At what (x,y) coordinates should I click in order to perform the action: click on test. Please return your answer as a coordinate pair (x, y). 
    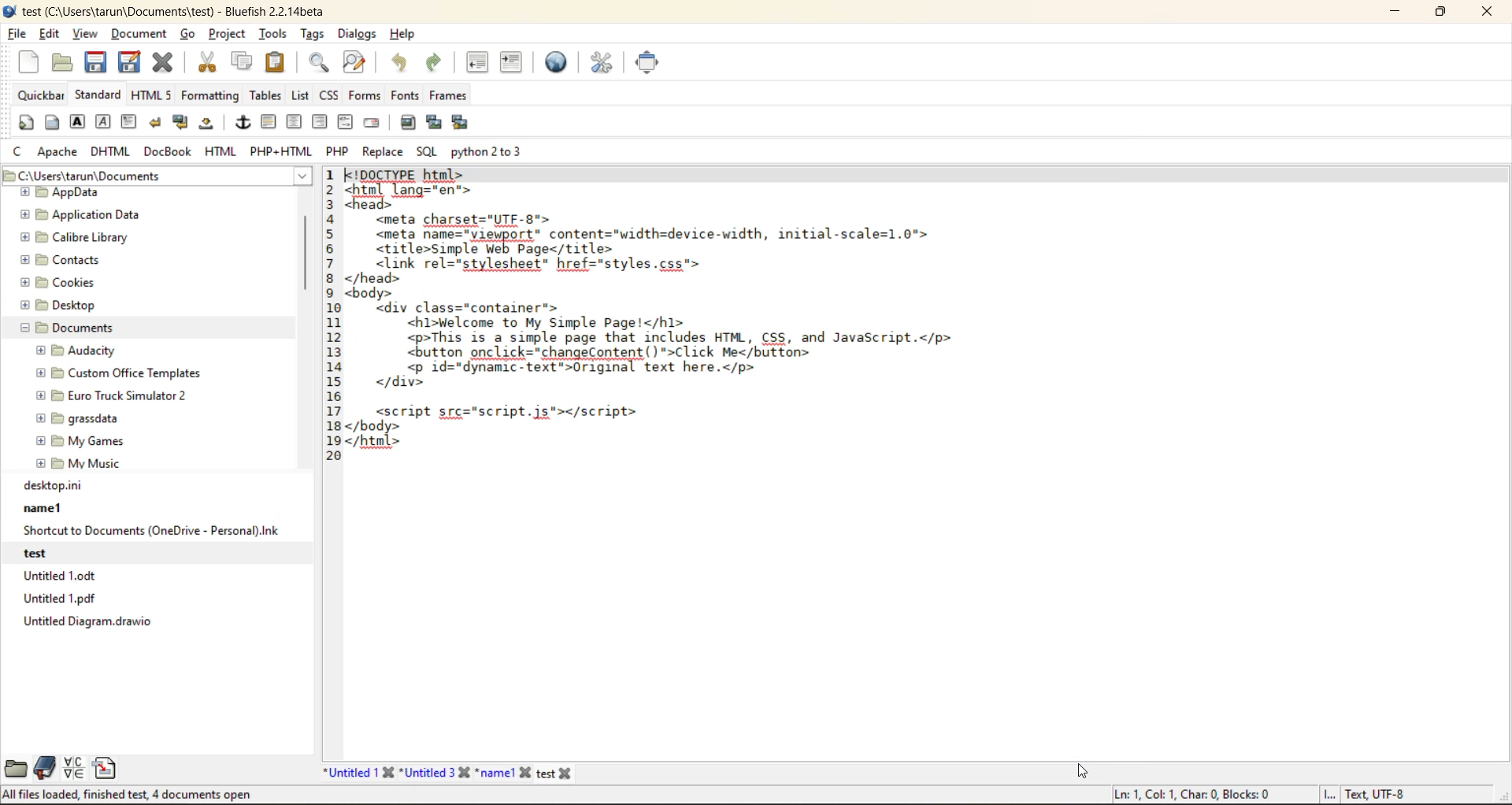
    Looking at the image, I should click on (142, 553).